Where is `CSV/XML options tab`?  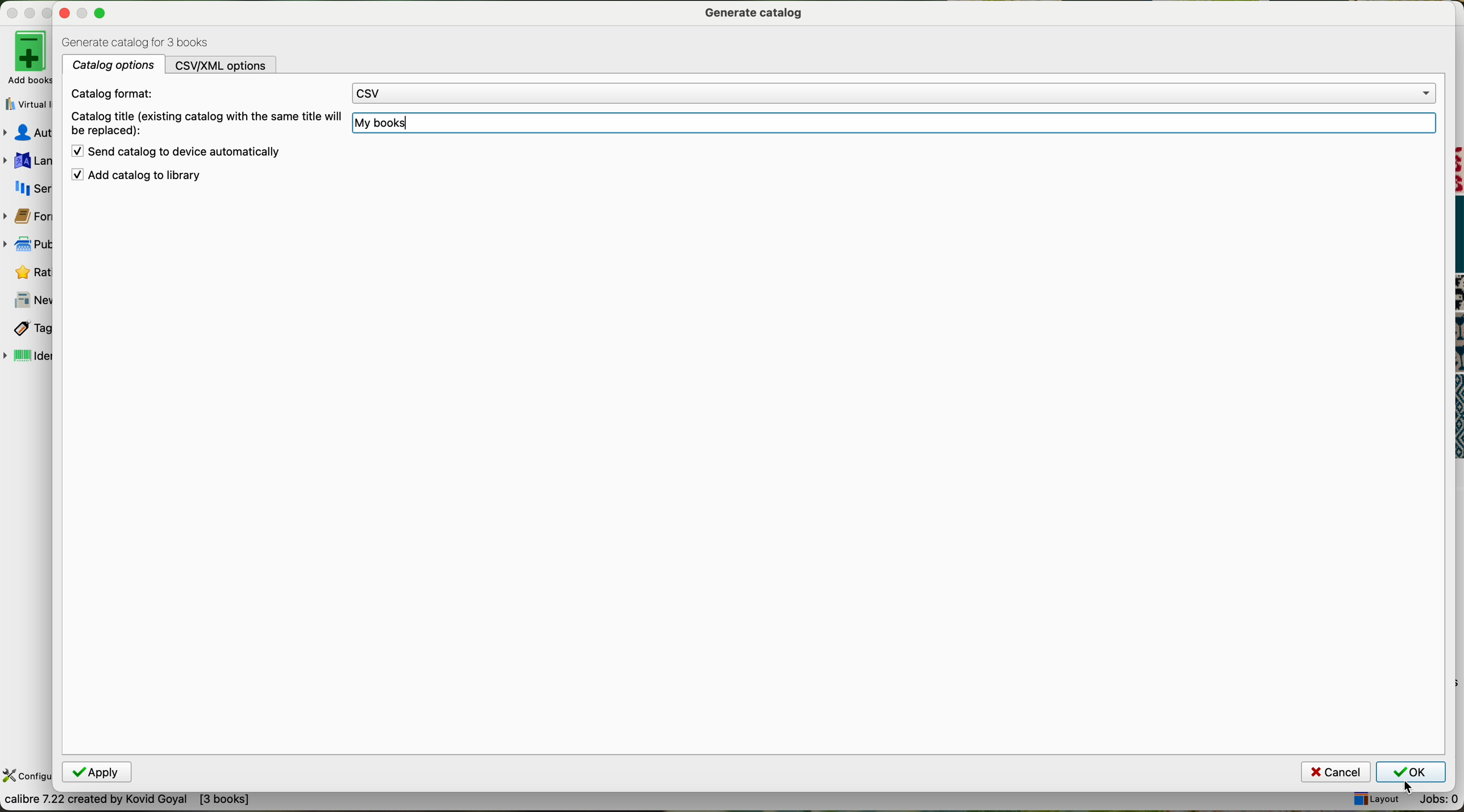
CSV/XML options tab is located at coordinates (221, 64).